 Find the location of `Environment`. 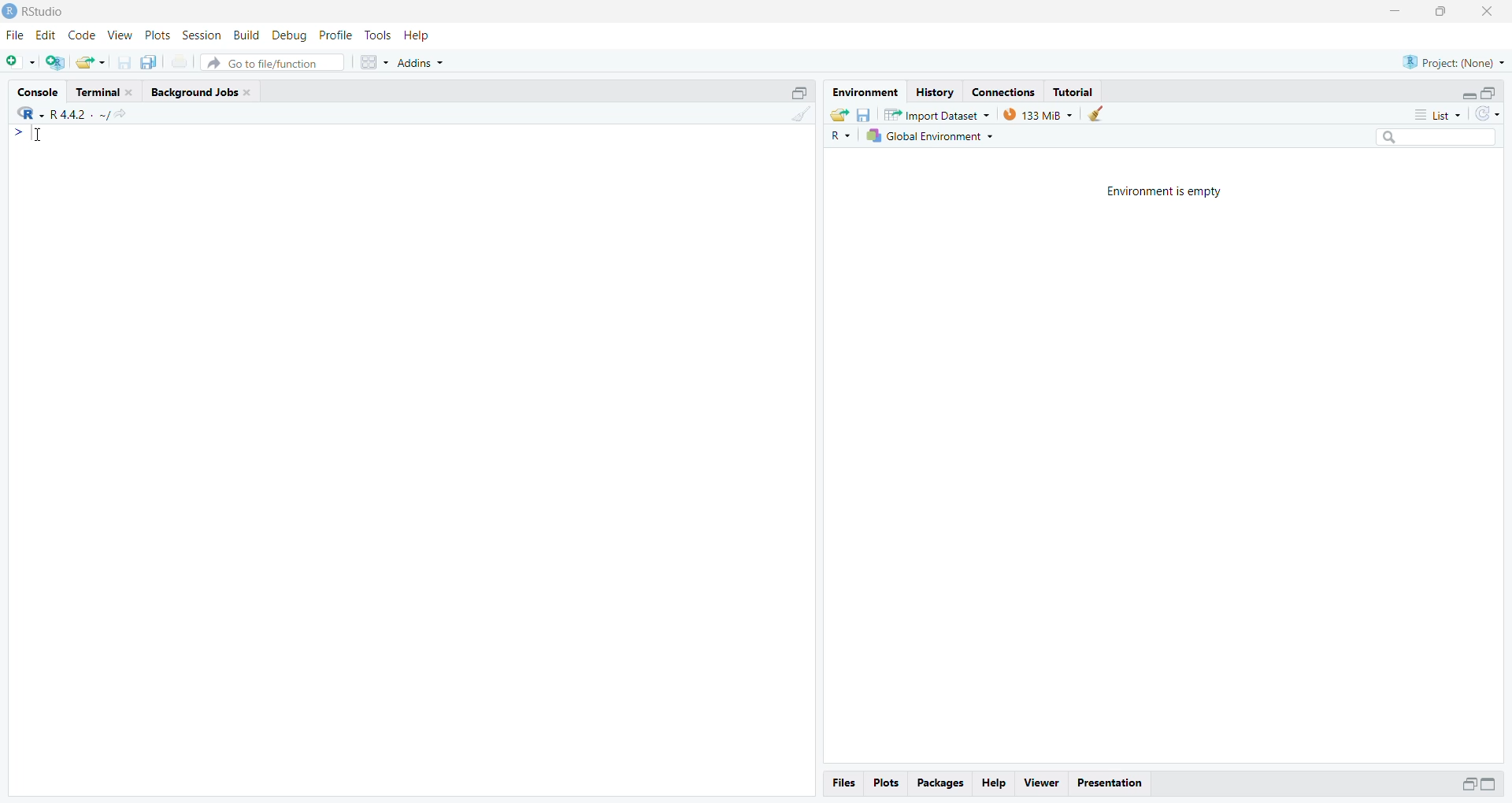

Environment is located at coordinates (863, 93).